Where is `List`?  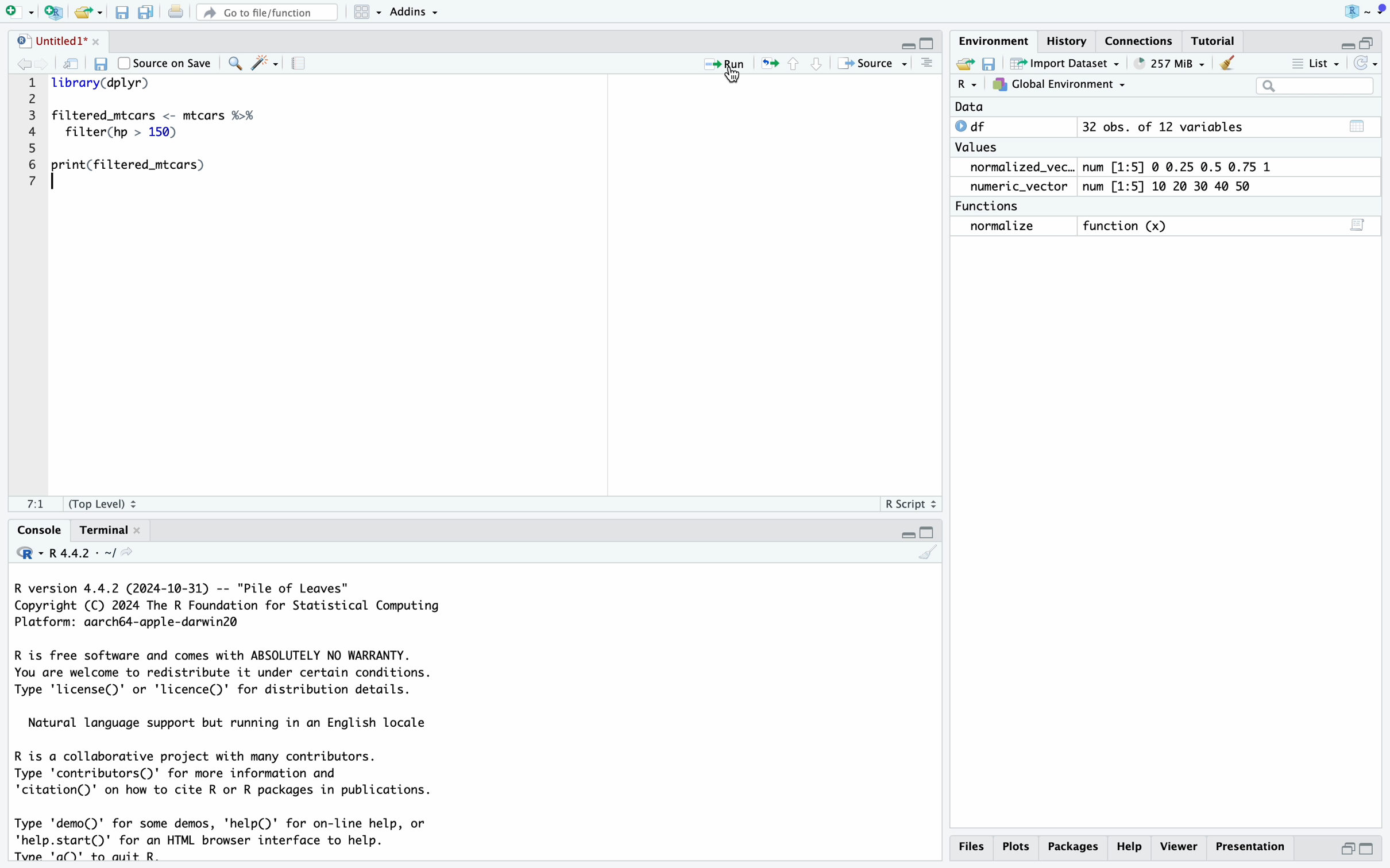
List is located at coordinates (1315, 65).